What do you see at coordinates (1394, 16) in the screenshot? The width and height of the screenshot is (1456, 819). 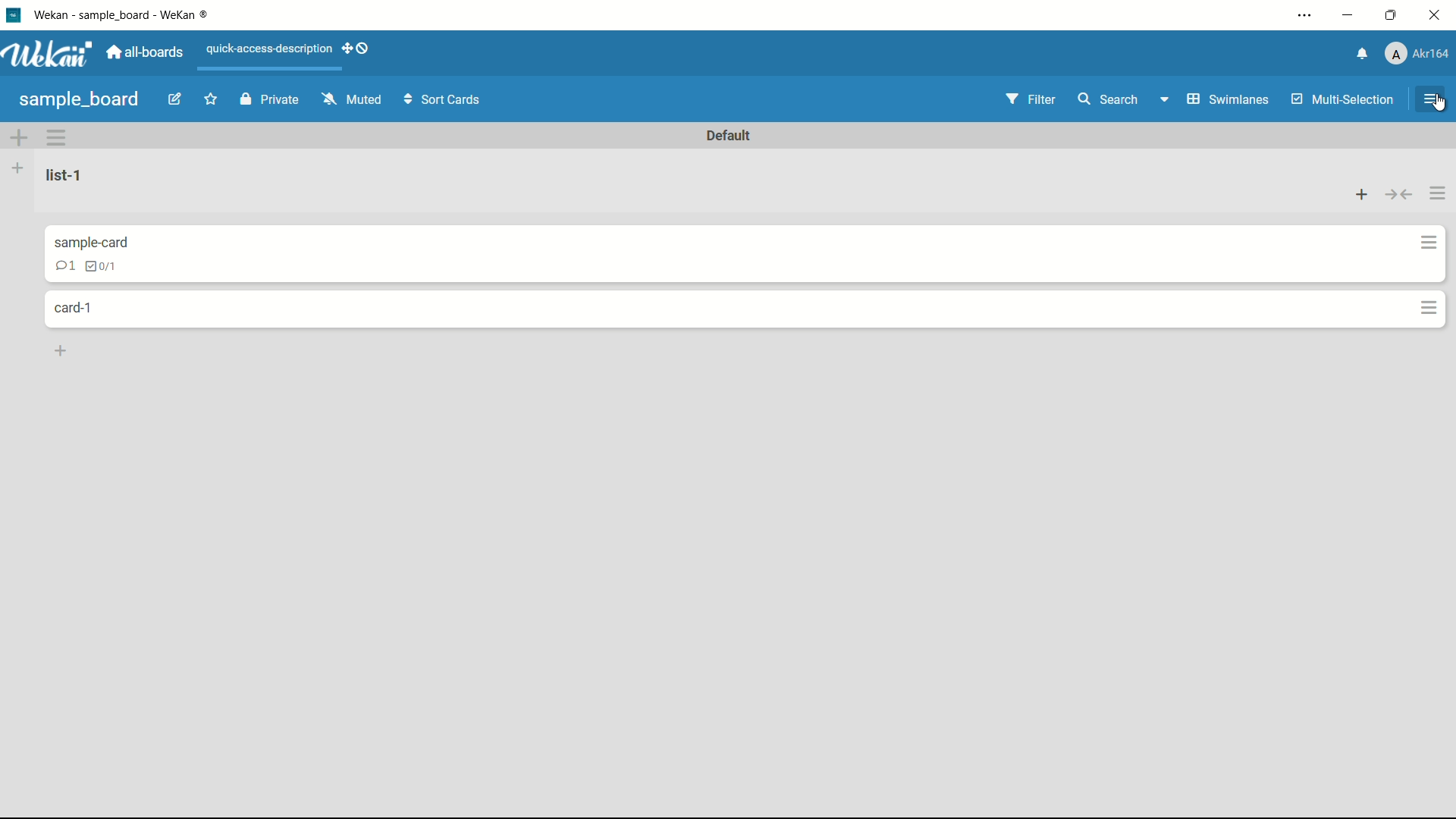 I see `maximize` at bounding box center [1394, 16].